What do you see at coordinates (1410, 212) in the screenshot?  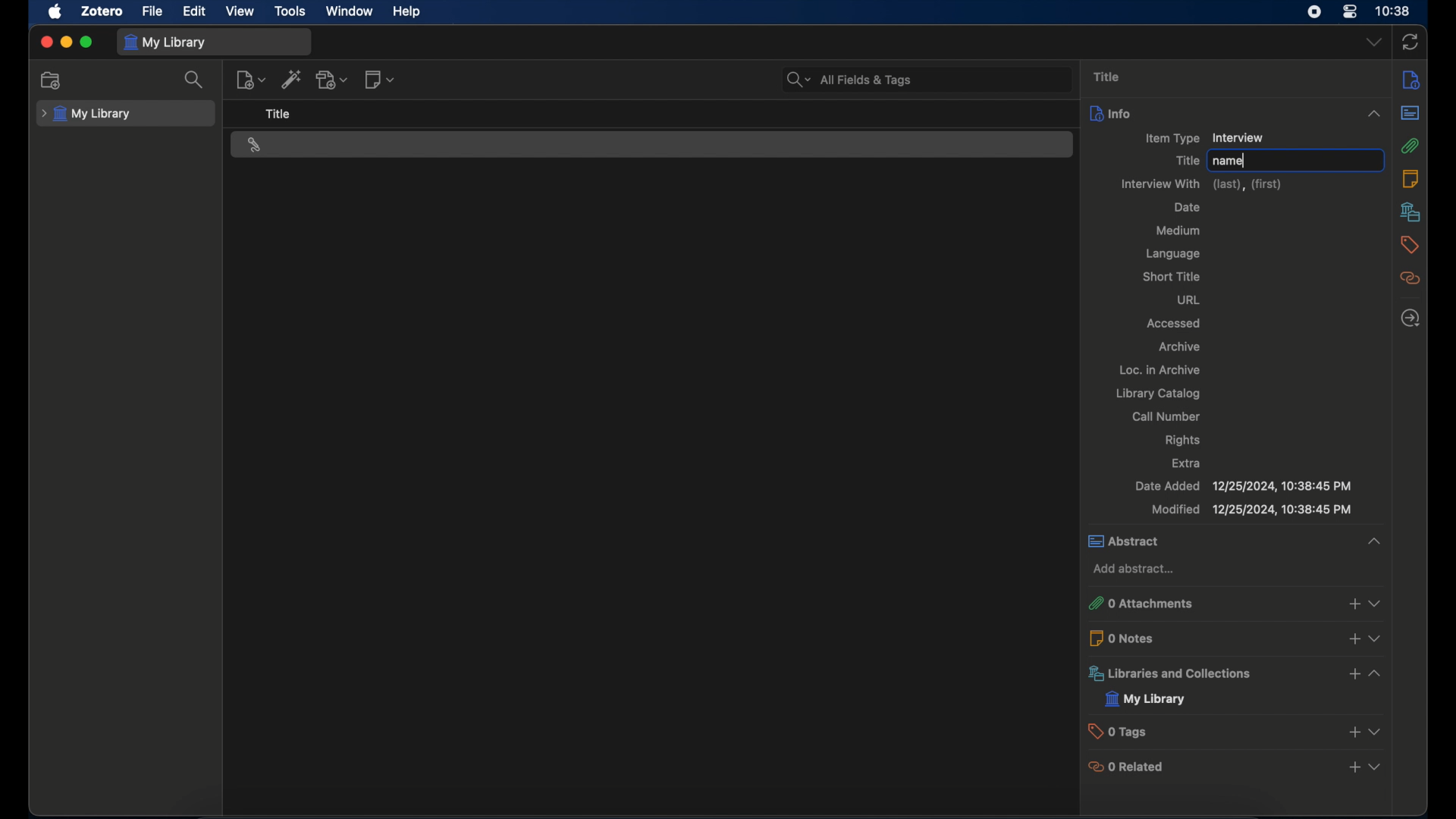 I see `libraries ` at bounding box center [1410, 212].